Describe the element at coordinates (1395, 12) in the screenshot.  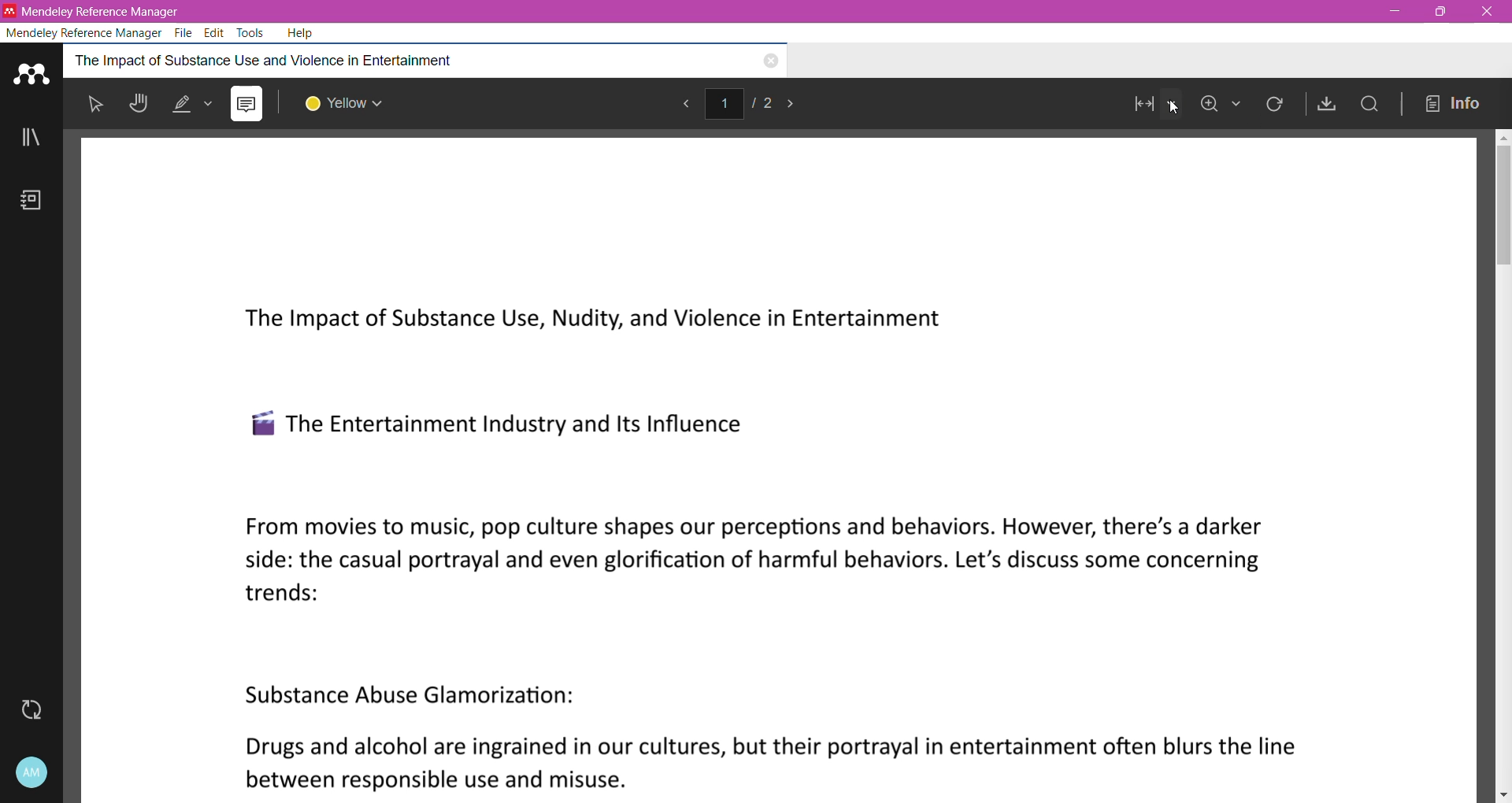
I see `Minimize` at that location.